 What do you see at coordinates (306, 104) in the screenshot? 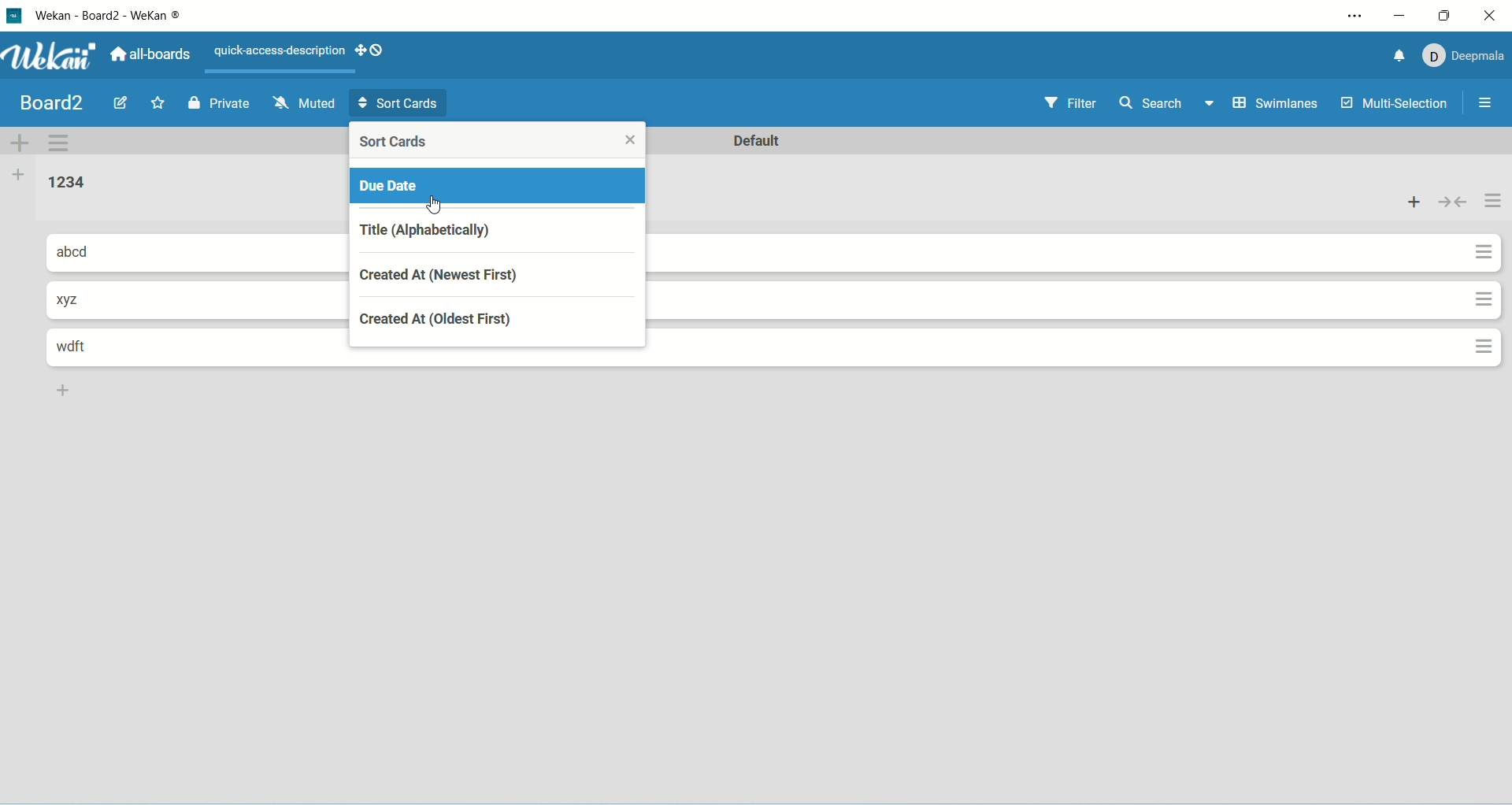
I see `muted` at bounding box center [306, 104].